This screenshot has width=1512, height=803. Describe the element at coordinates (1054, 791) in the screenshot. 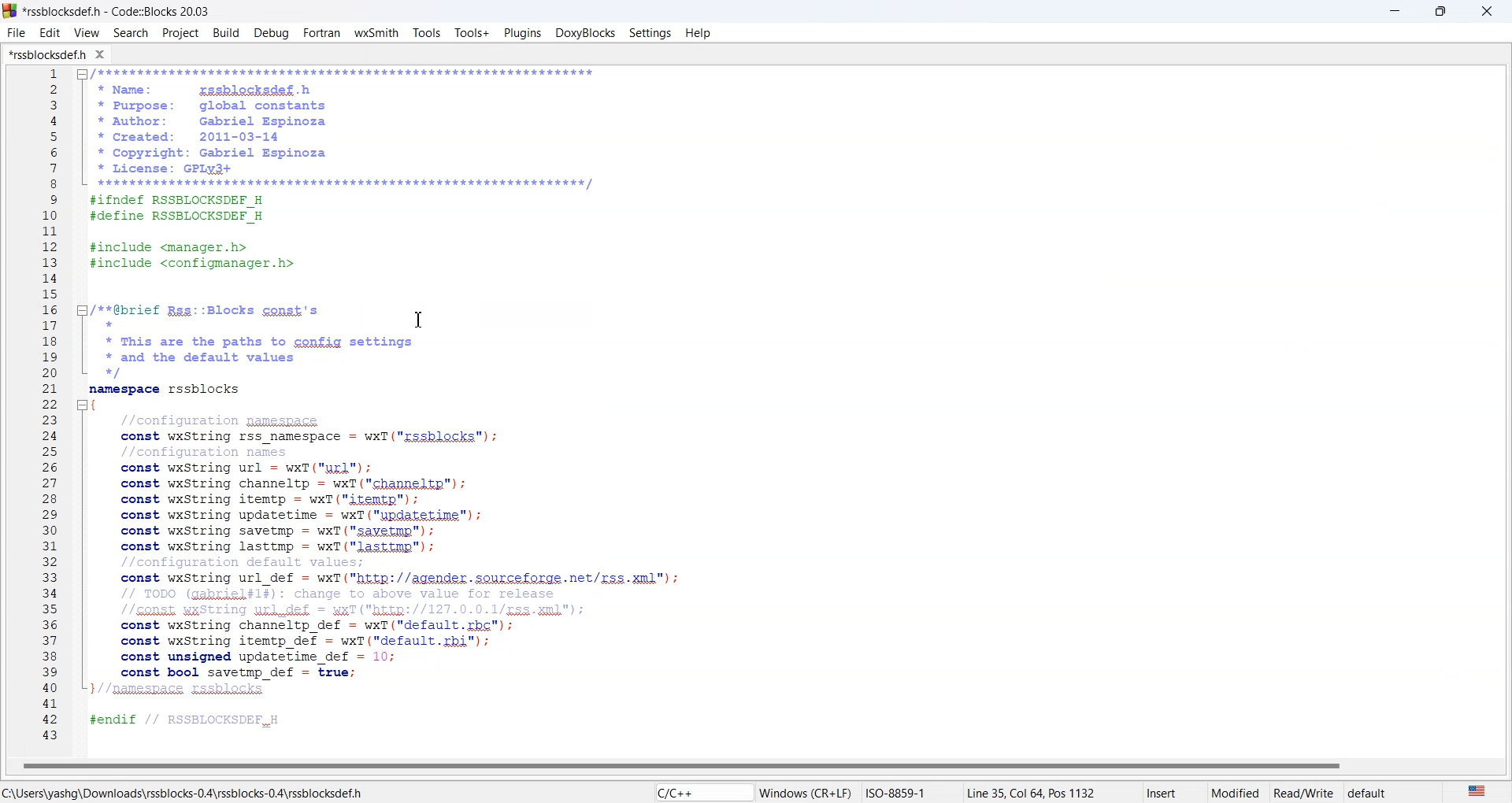

I see `Line 35,Col 64, Pos 1132` at that location.